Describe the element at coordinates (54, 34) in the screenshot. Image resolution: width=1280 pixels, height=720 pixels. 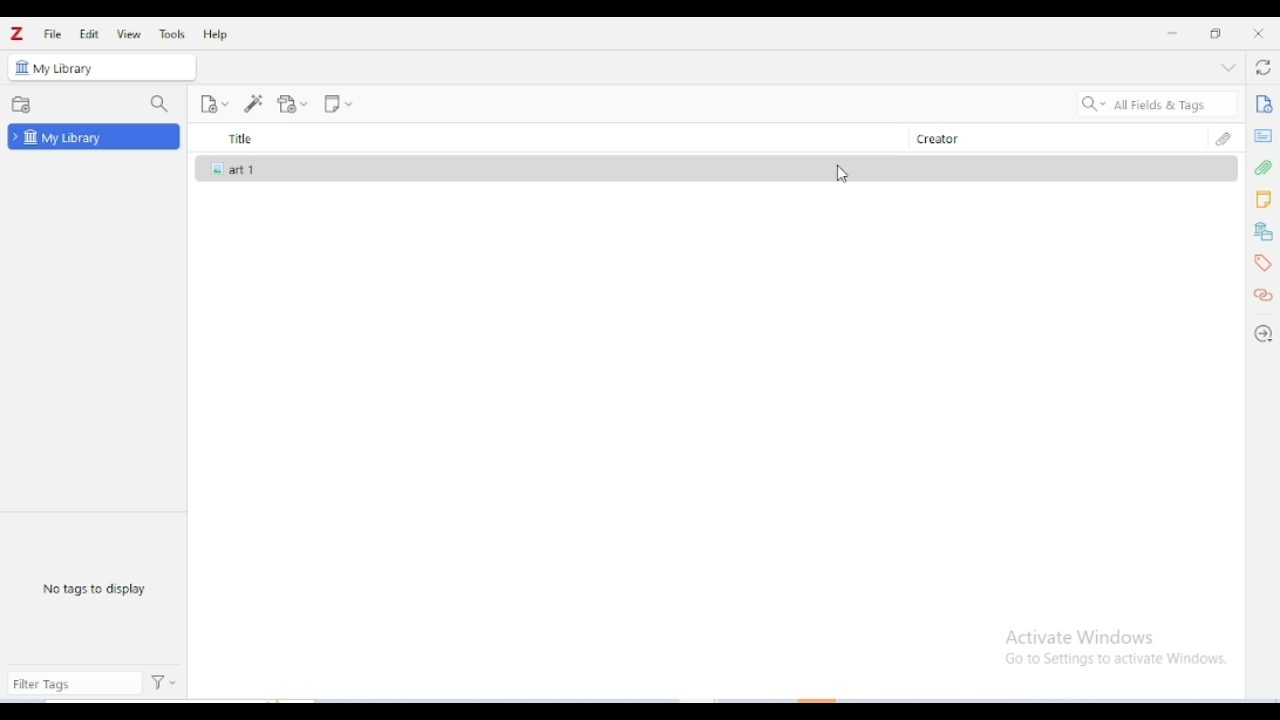
I see `file` at that location.